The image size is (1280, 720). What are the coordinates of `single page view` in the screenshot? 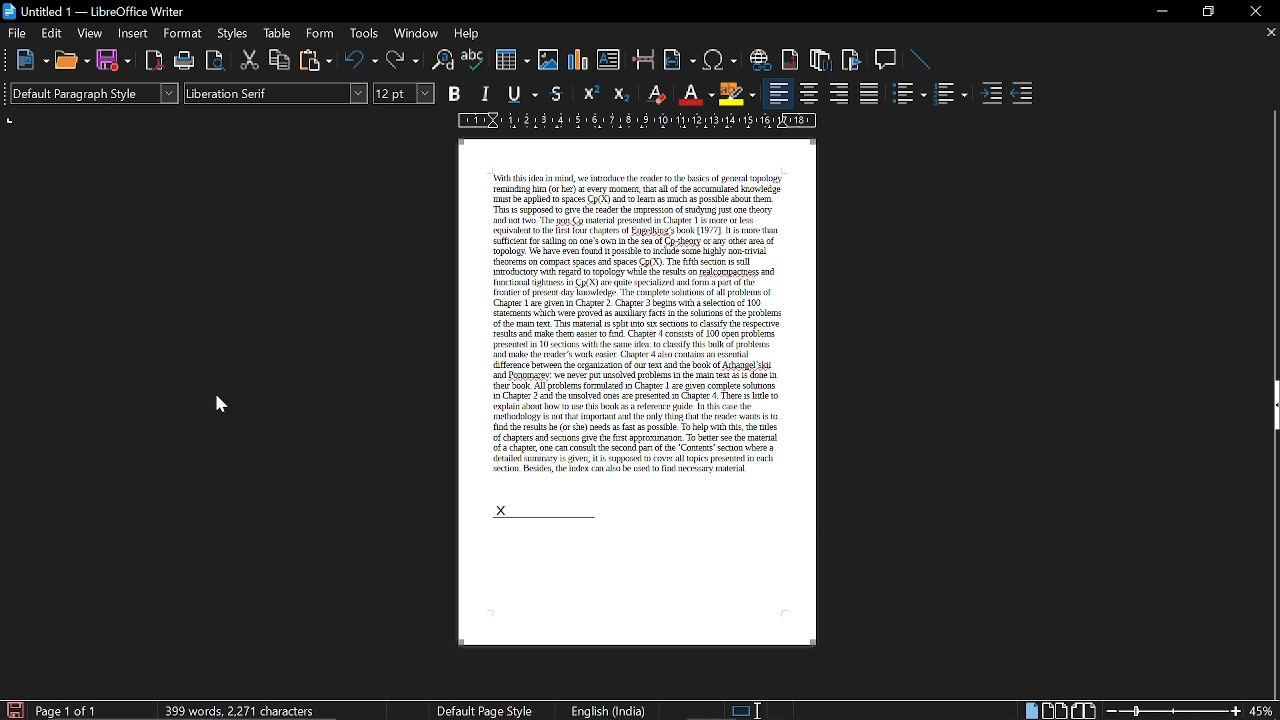 It's located at (1030, 711).